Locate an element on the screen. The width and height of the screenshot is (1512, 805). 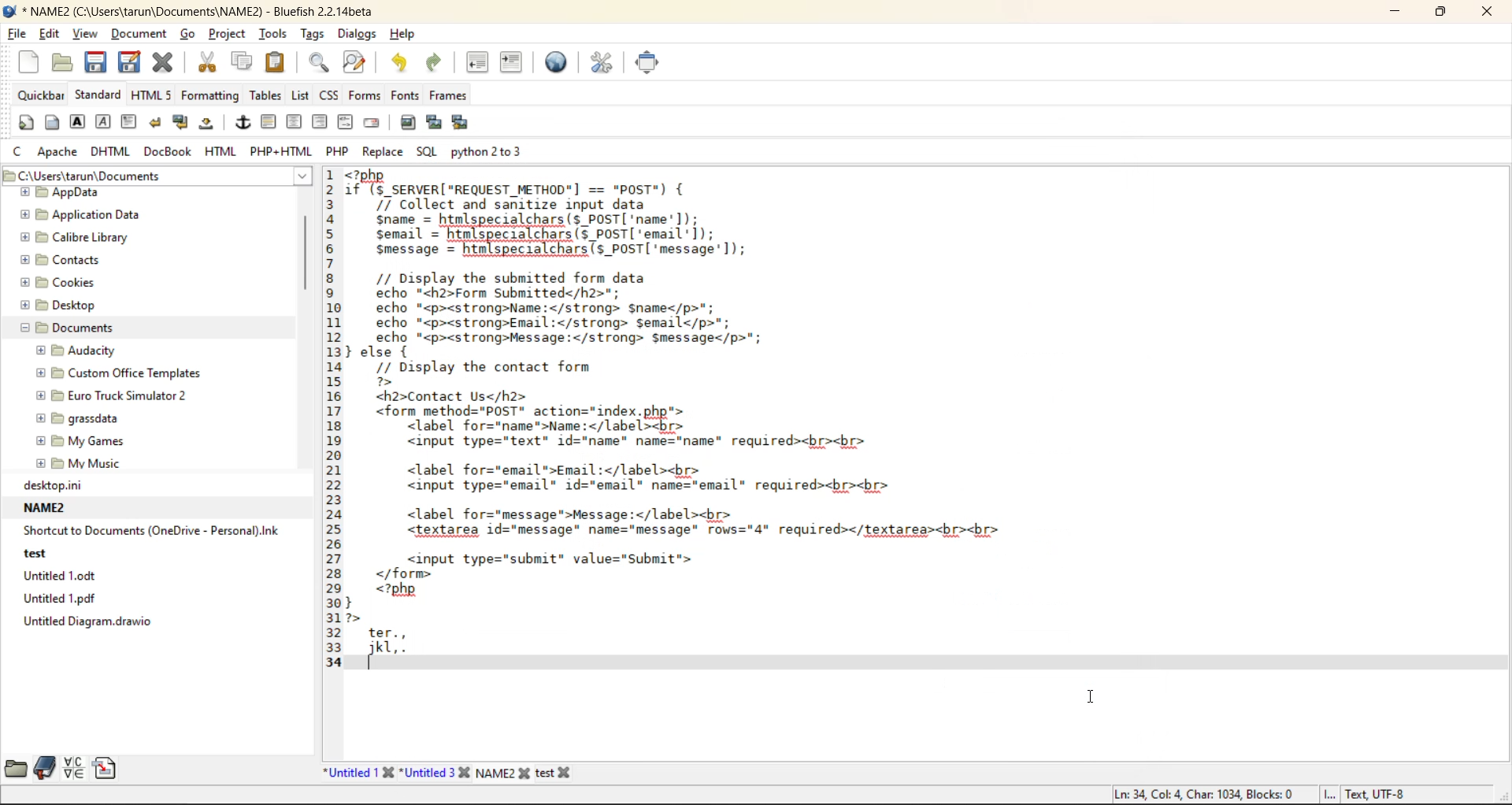
email is located at coordinates (374, 124).